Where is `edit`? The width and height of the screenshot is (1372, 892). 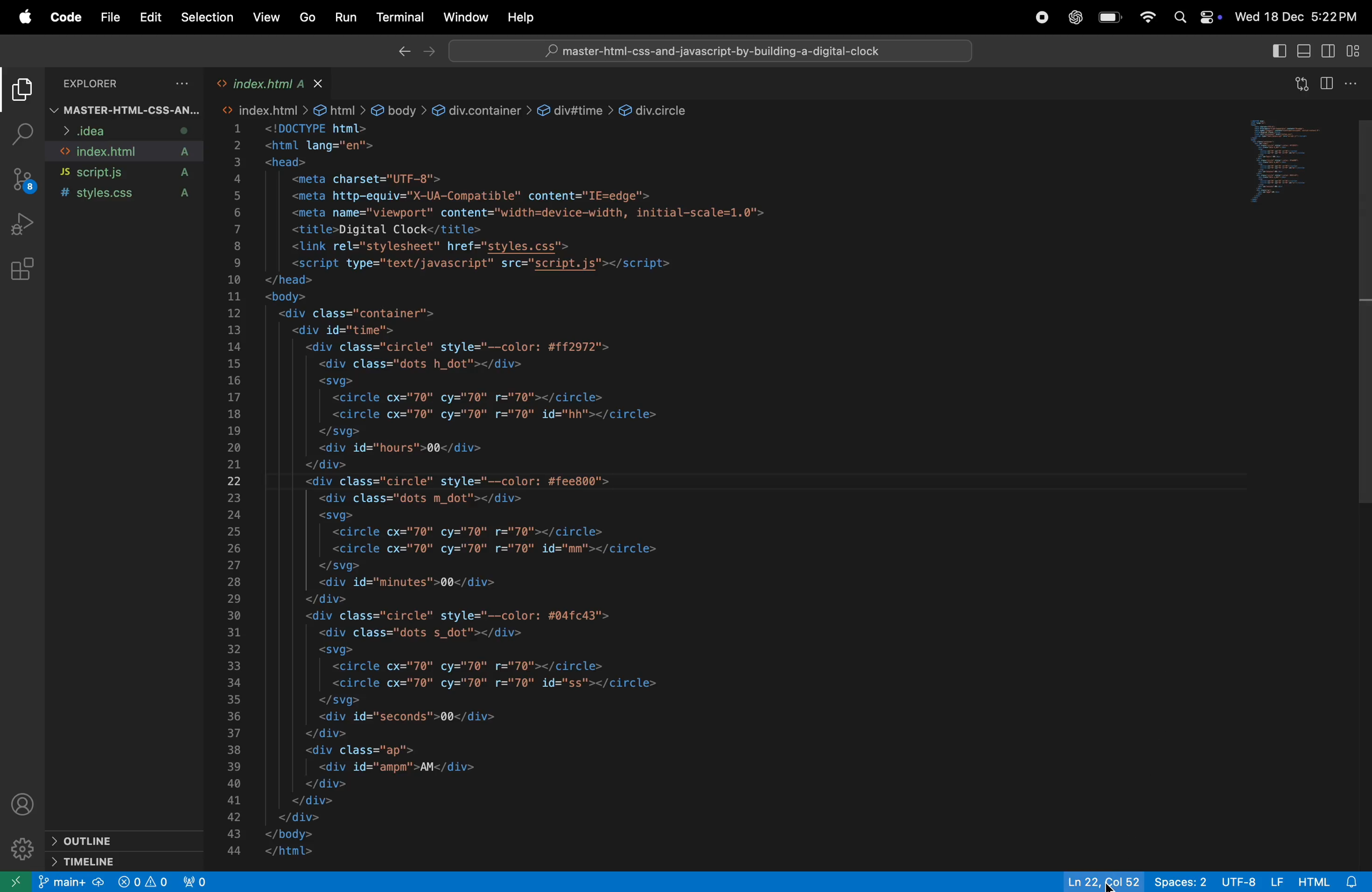
edit is located at coordinates (148, 19).